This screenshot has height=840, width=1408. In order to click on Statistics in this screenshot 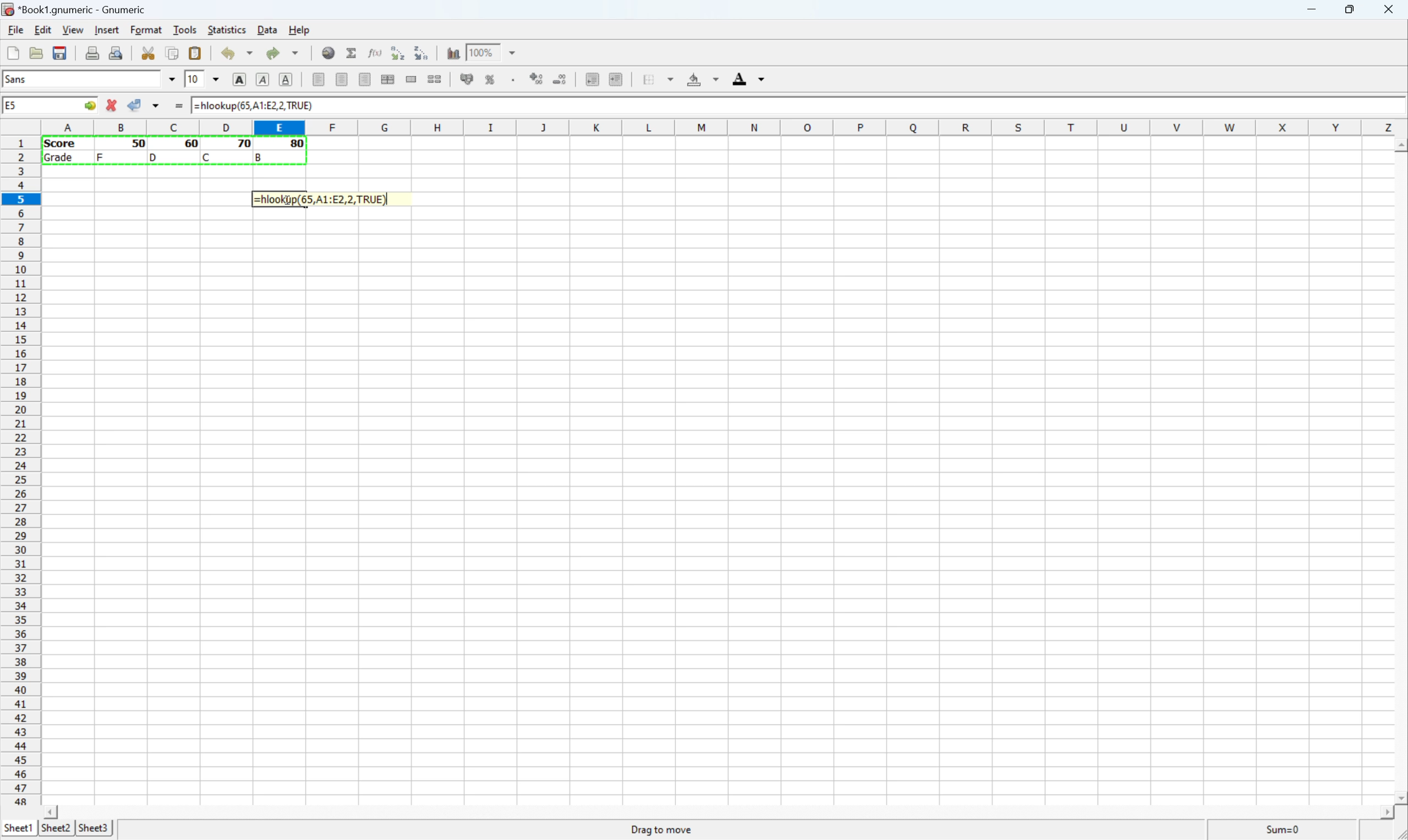, I will do `click(227, 28)`.